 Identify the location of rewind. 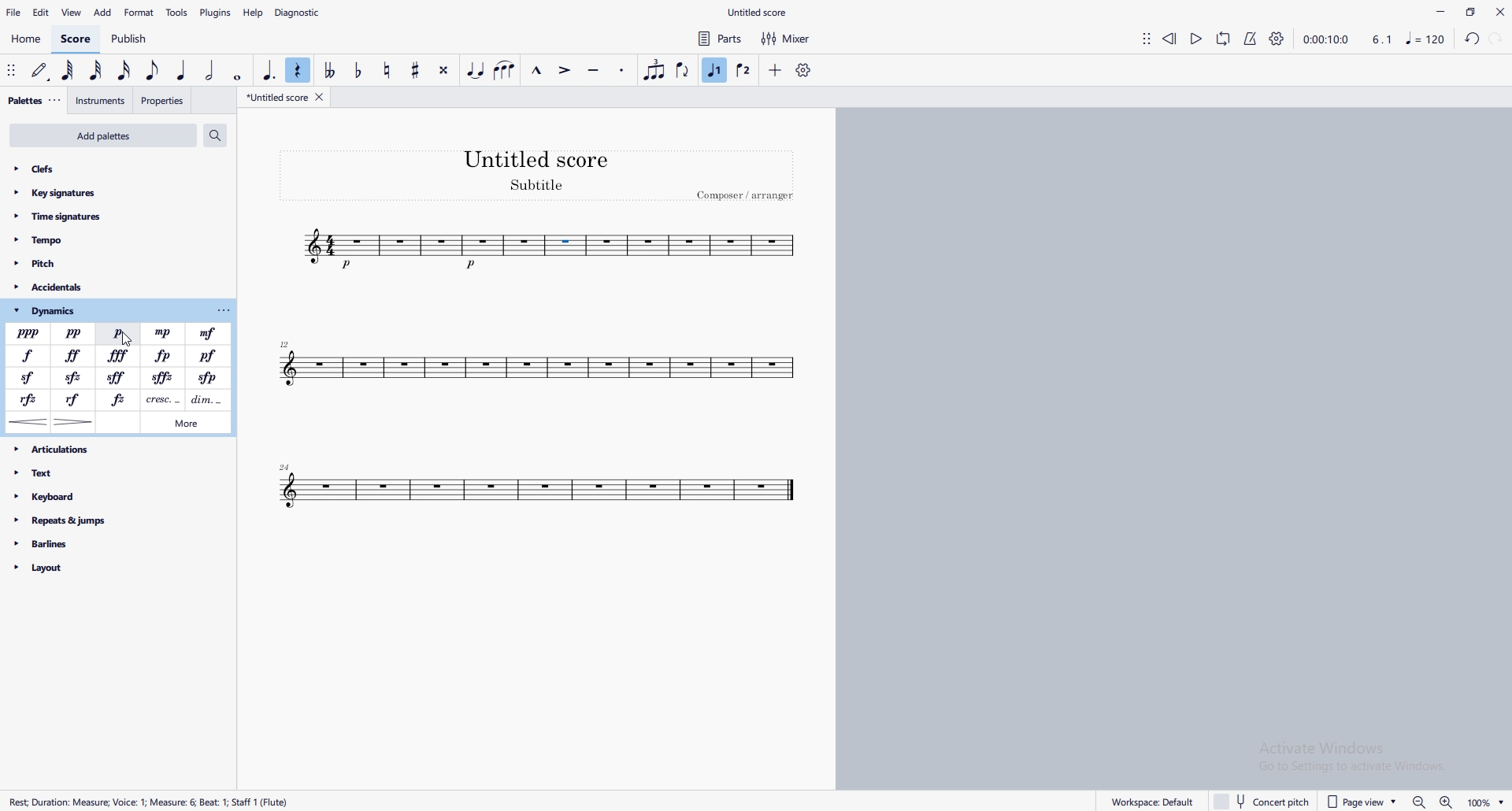
(1169, 37).